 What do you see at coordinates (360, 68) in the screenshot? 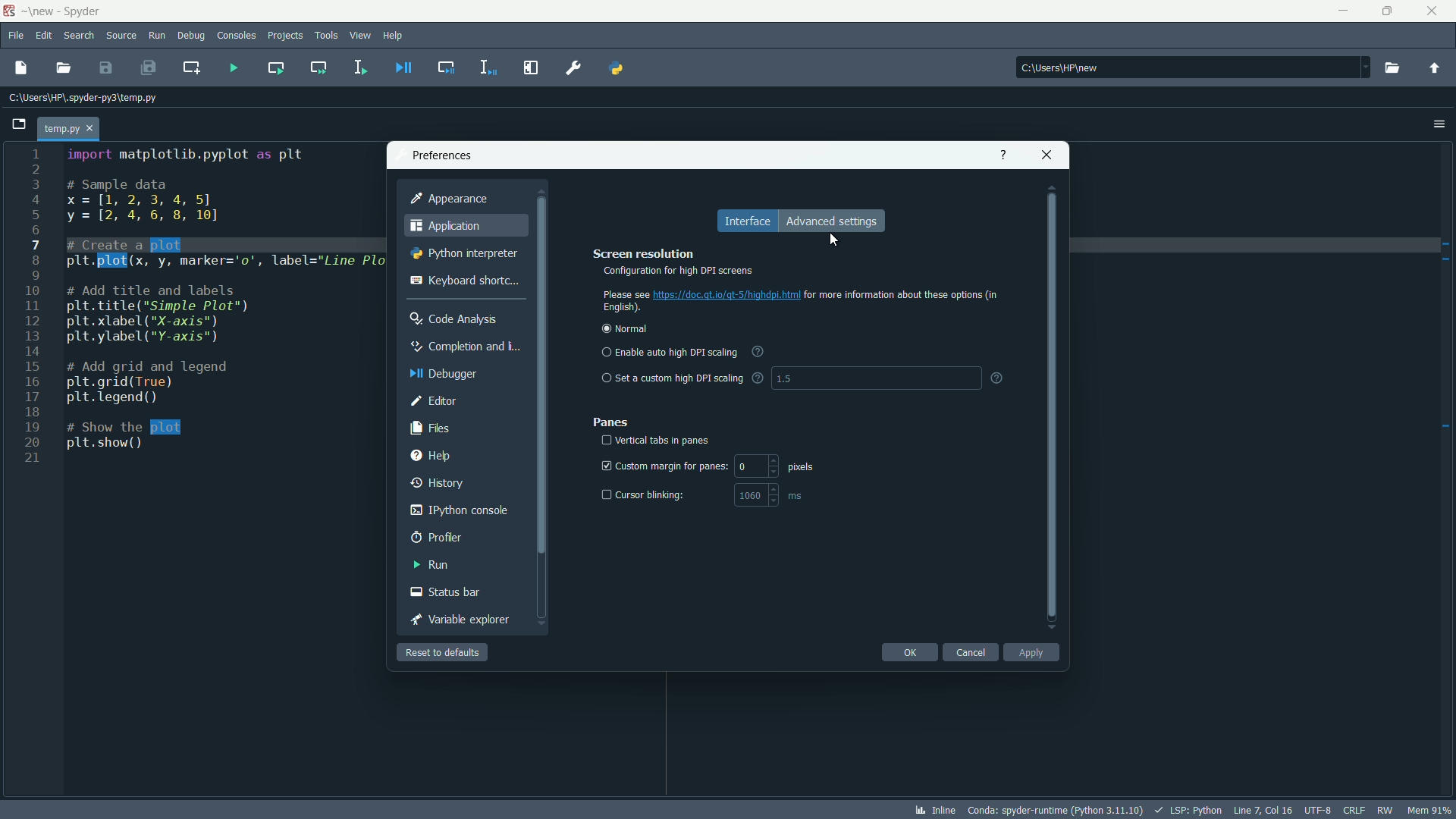
I see `run selection` at bounding box center [360, 68].